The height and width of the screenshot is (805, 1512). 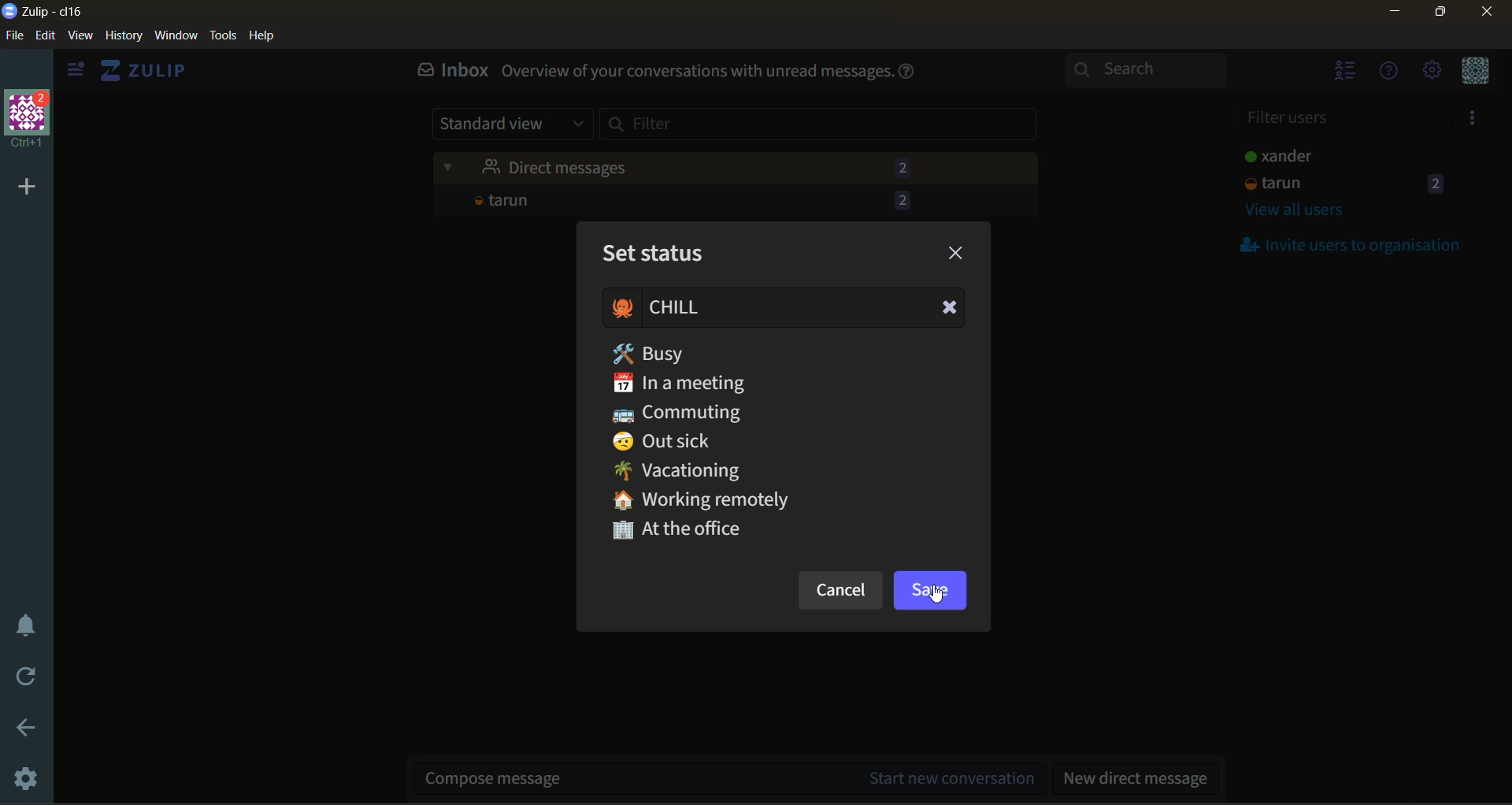 What do you see at coordinates (951, 310) in the screenshot?
I see `Clear` at bounding box center [951, 310].